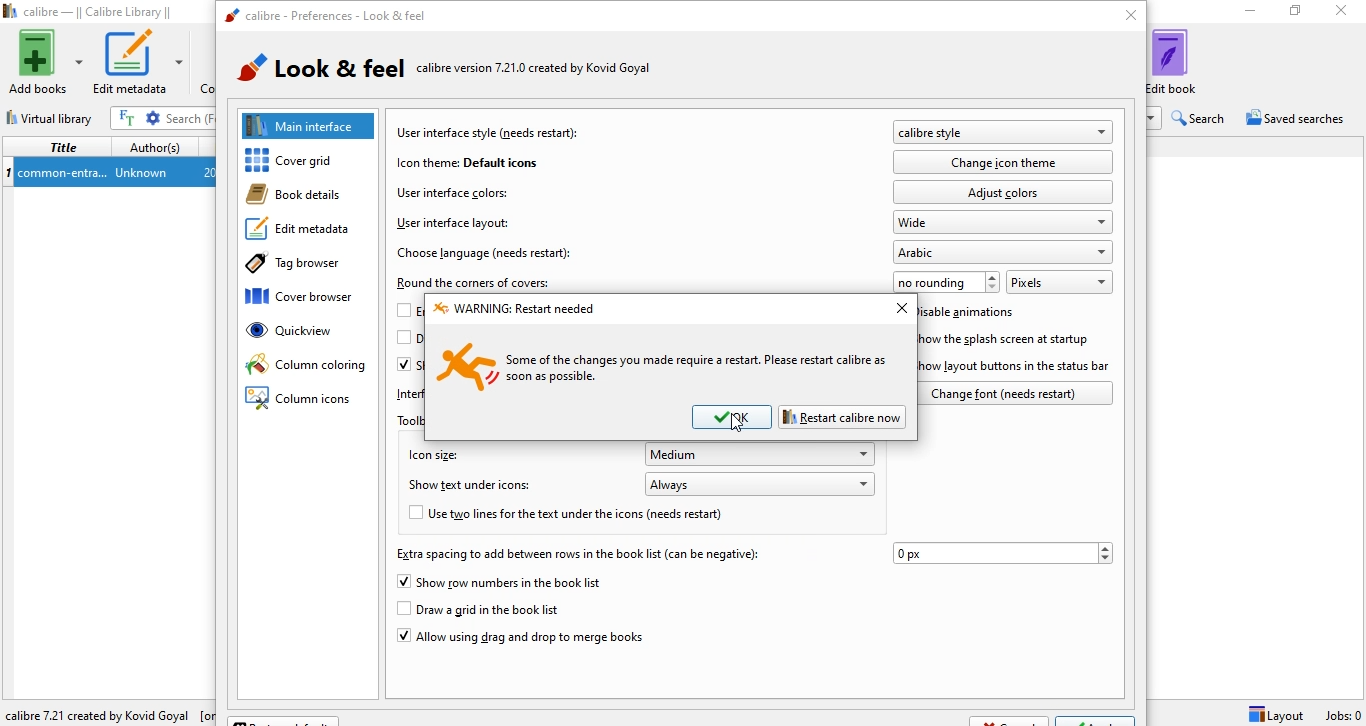 This screenshot has height=726, width=1366. I want to click on choose language (needs restart), so click(486, 252).